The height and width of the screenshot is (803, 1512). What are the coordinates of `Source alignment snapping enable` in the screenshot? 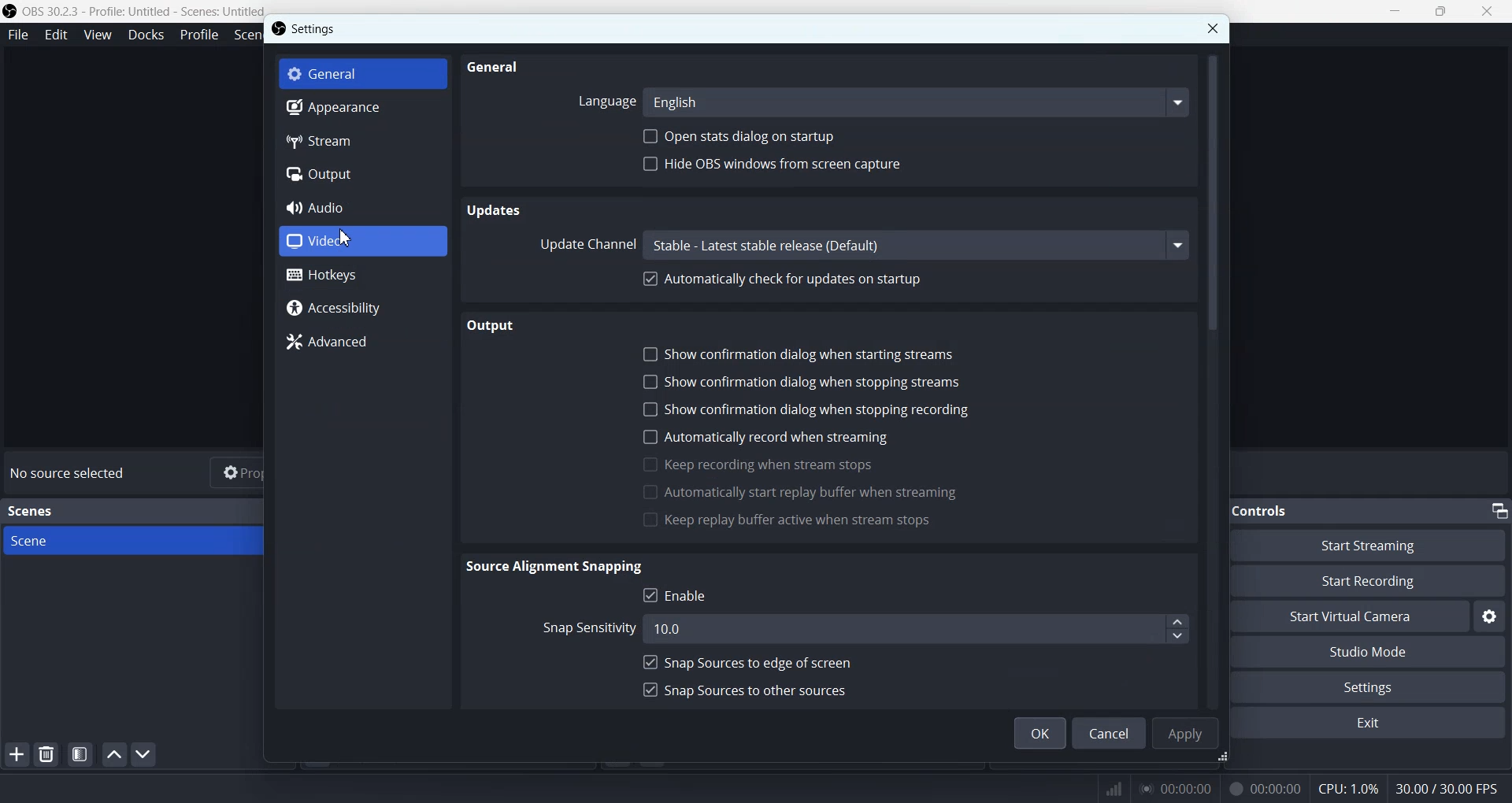 It's located at (690, 594).